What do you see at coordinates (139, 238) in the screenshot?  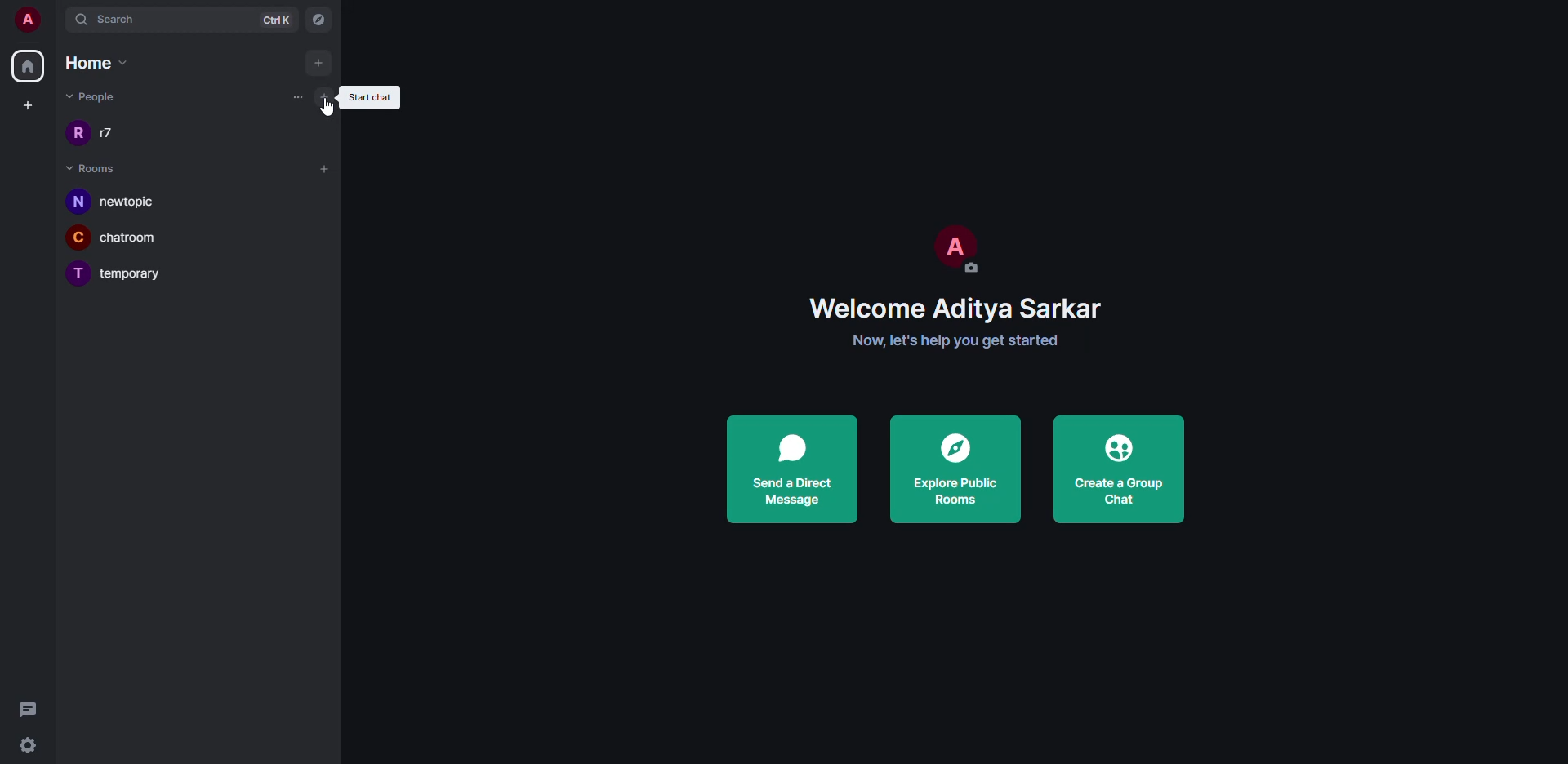 I see `chatroom` at bounding box center [139, 238].